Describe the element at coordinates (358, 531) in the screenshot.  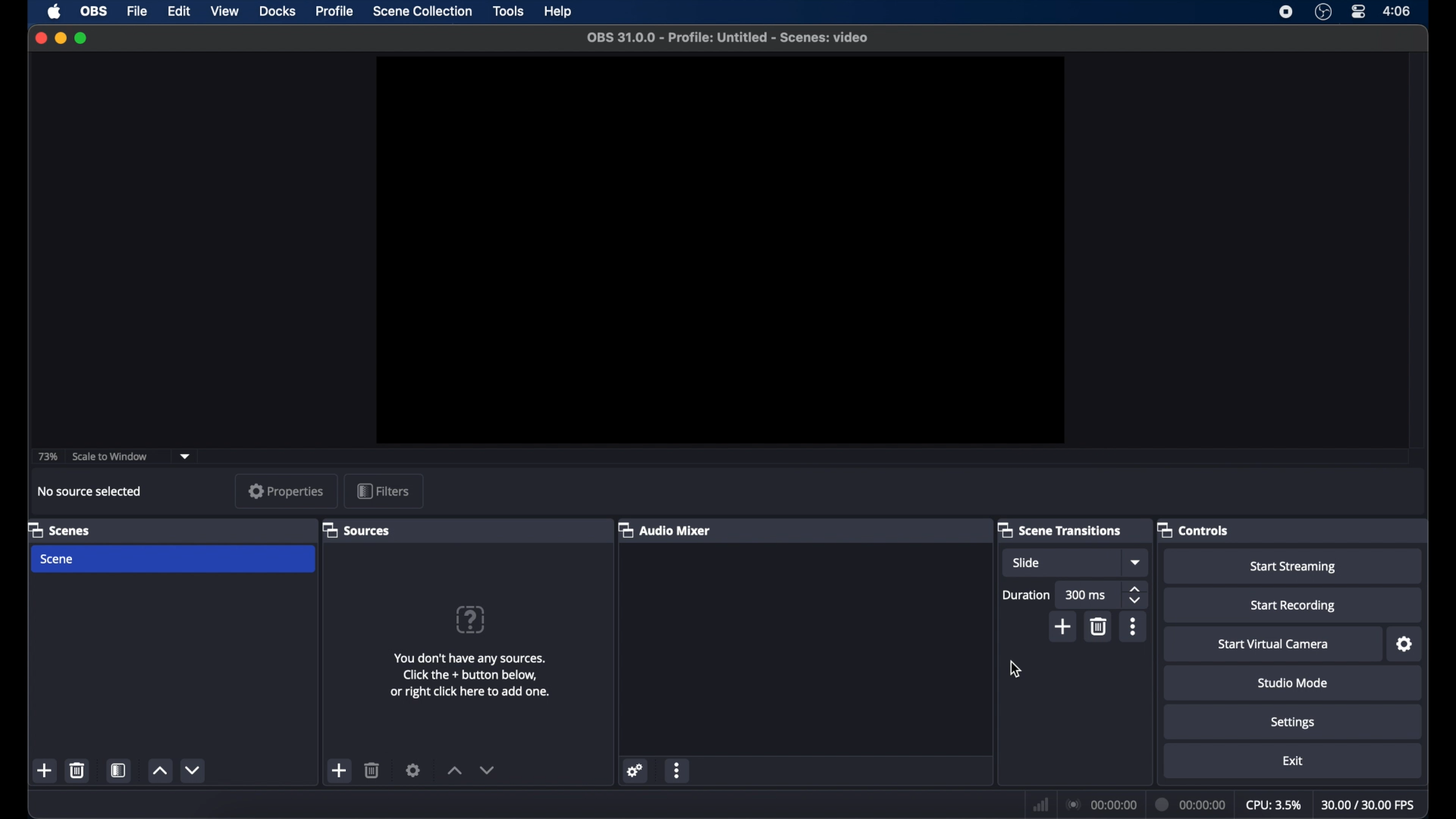
I see `sources` at that location.